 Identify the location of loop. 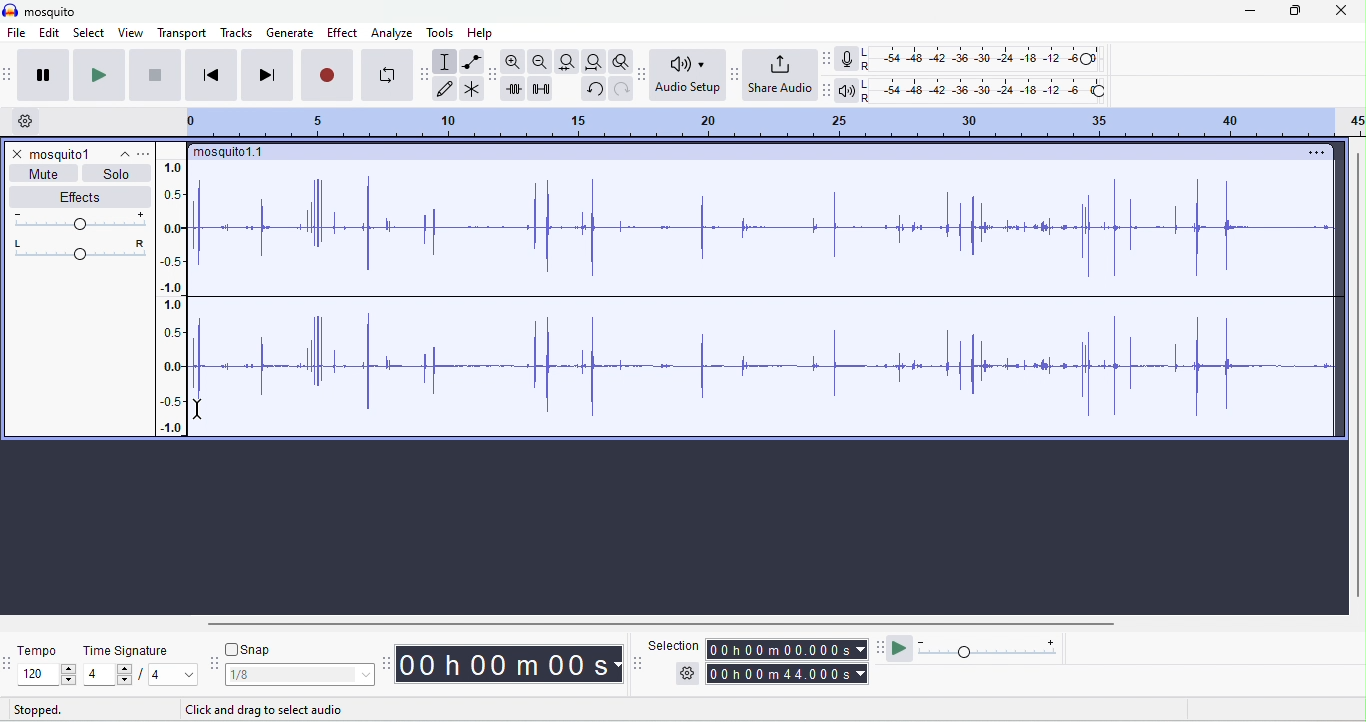
(389, 74).